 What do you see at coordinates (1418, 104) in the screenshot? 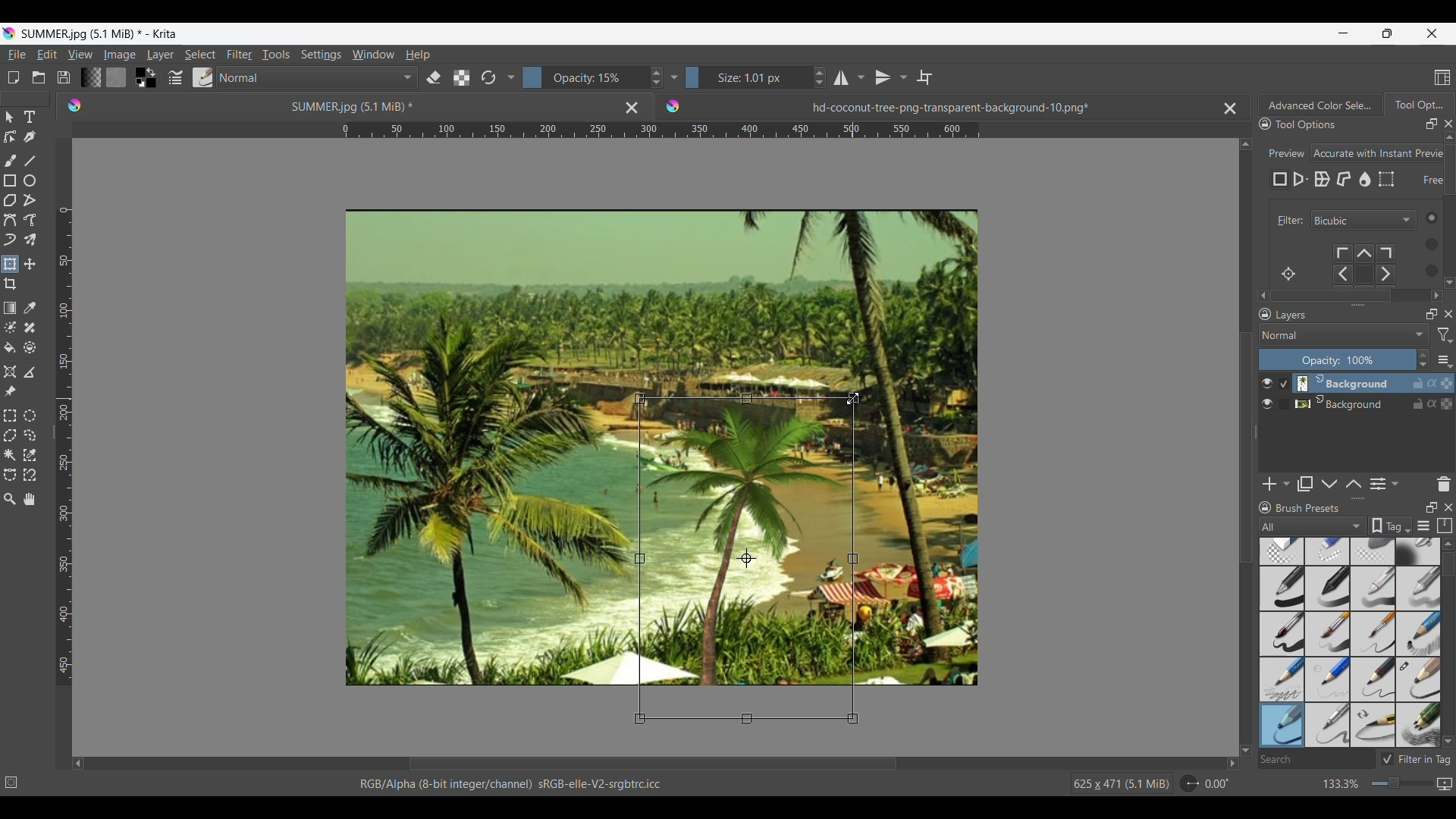
I see `Tool options panel` at bounding box center [1418, 104].